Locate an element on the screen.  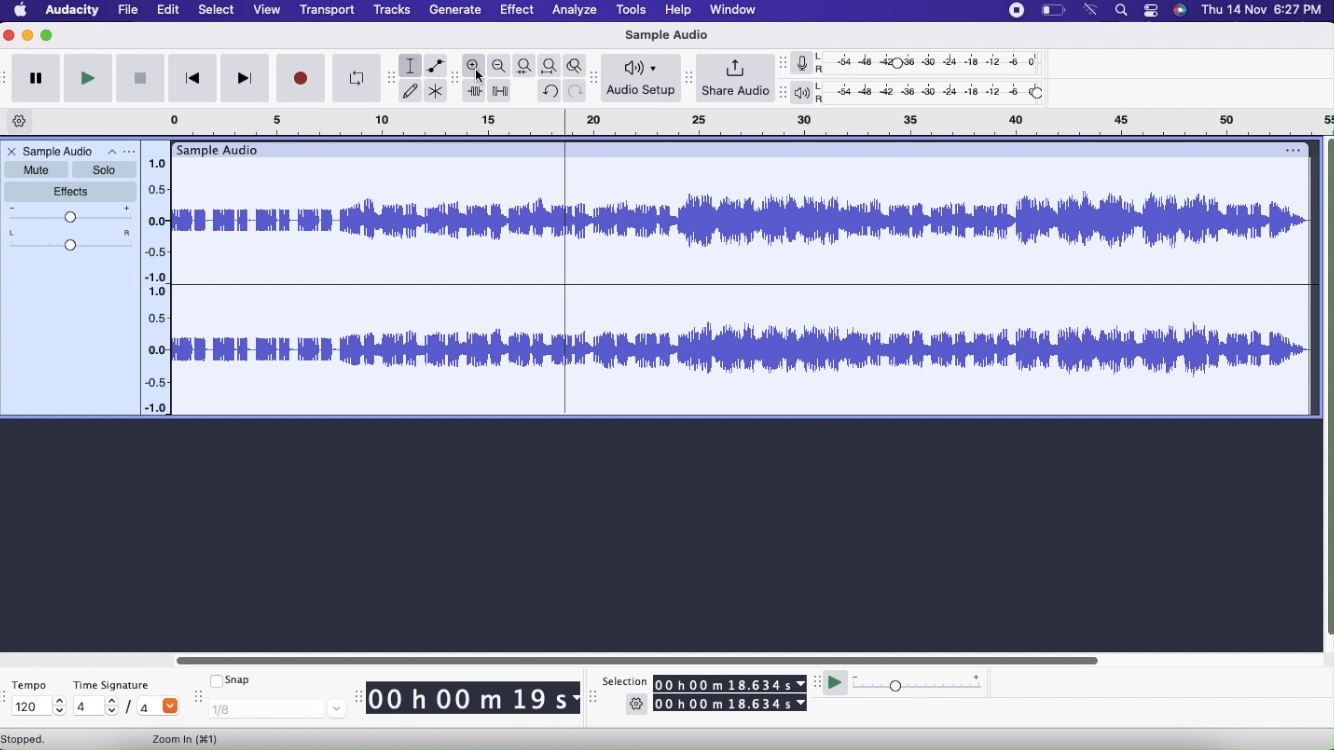
Selection is located at coordinates (626, 679).